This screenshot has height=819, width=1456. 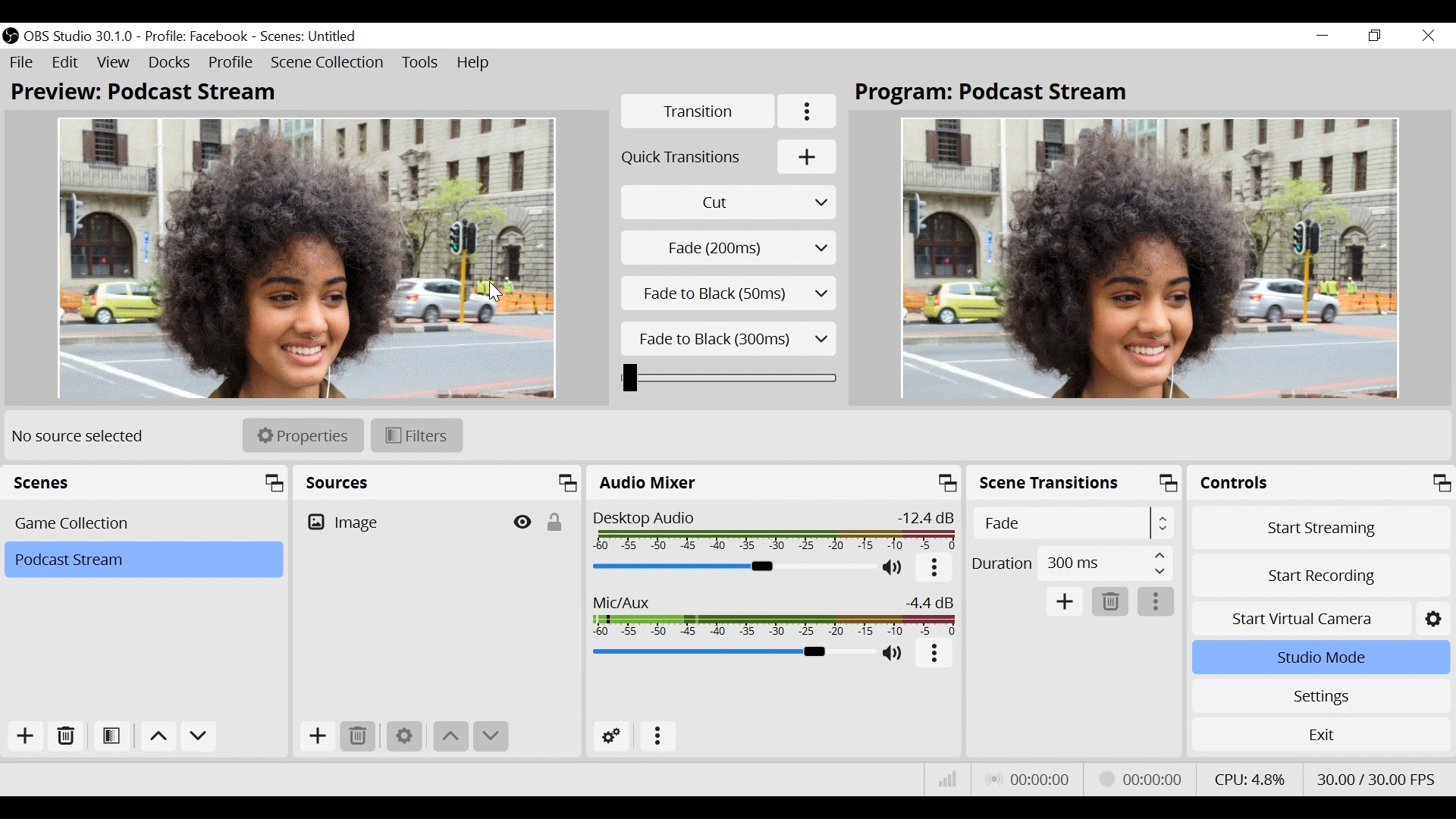 I want to click on More, so click(x=809, y=111).